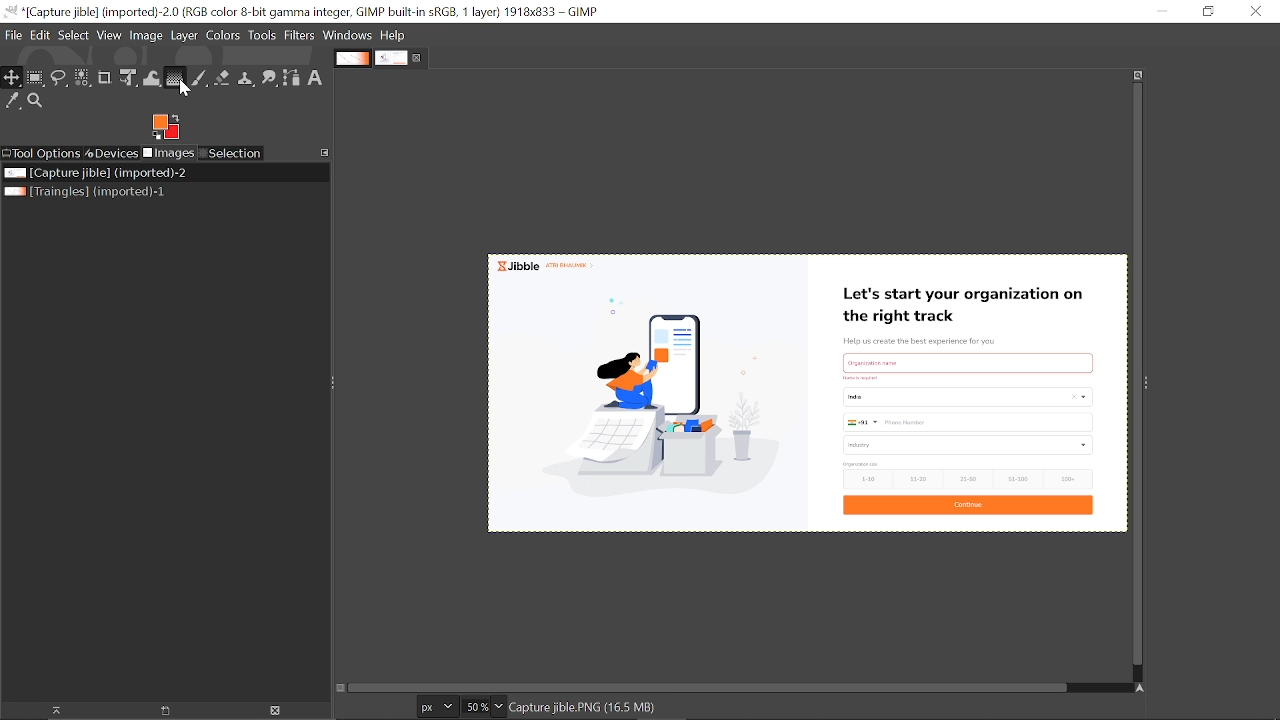 This screenshot has height=720, width=1280. I want to click on Tool options, so click(42, 155).